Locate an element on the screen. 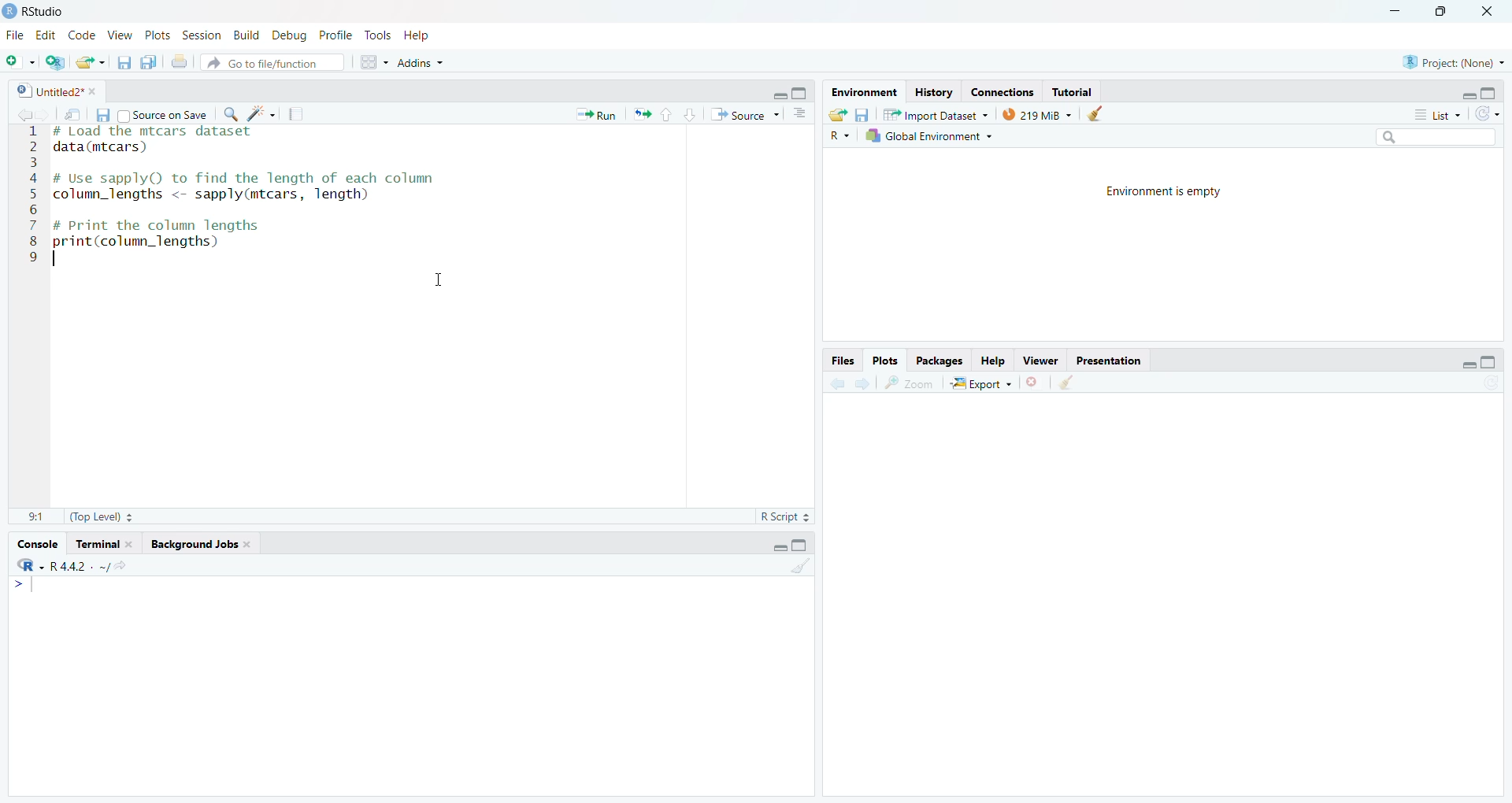 The height and width of the screenshot is (803, 1512). Tutorial is located at coordinates (1071, 91).